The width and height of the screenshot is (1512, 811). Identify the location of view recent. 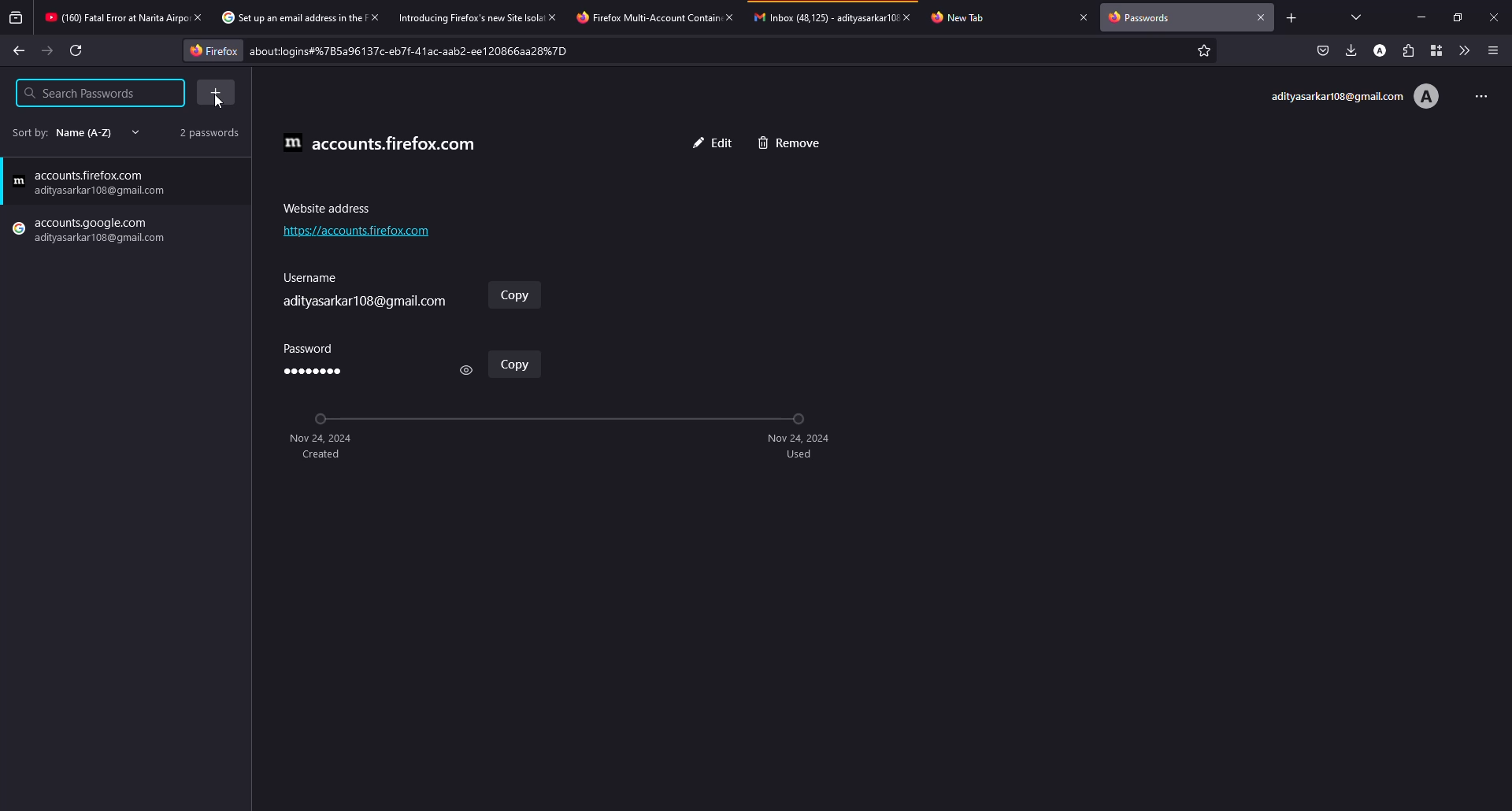
(17, 18).